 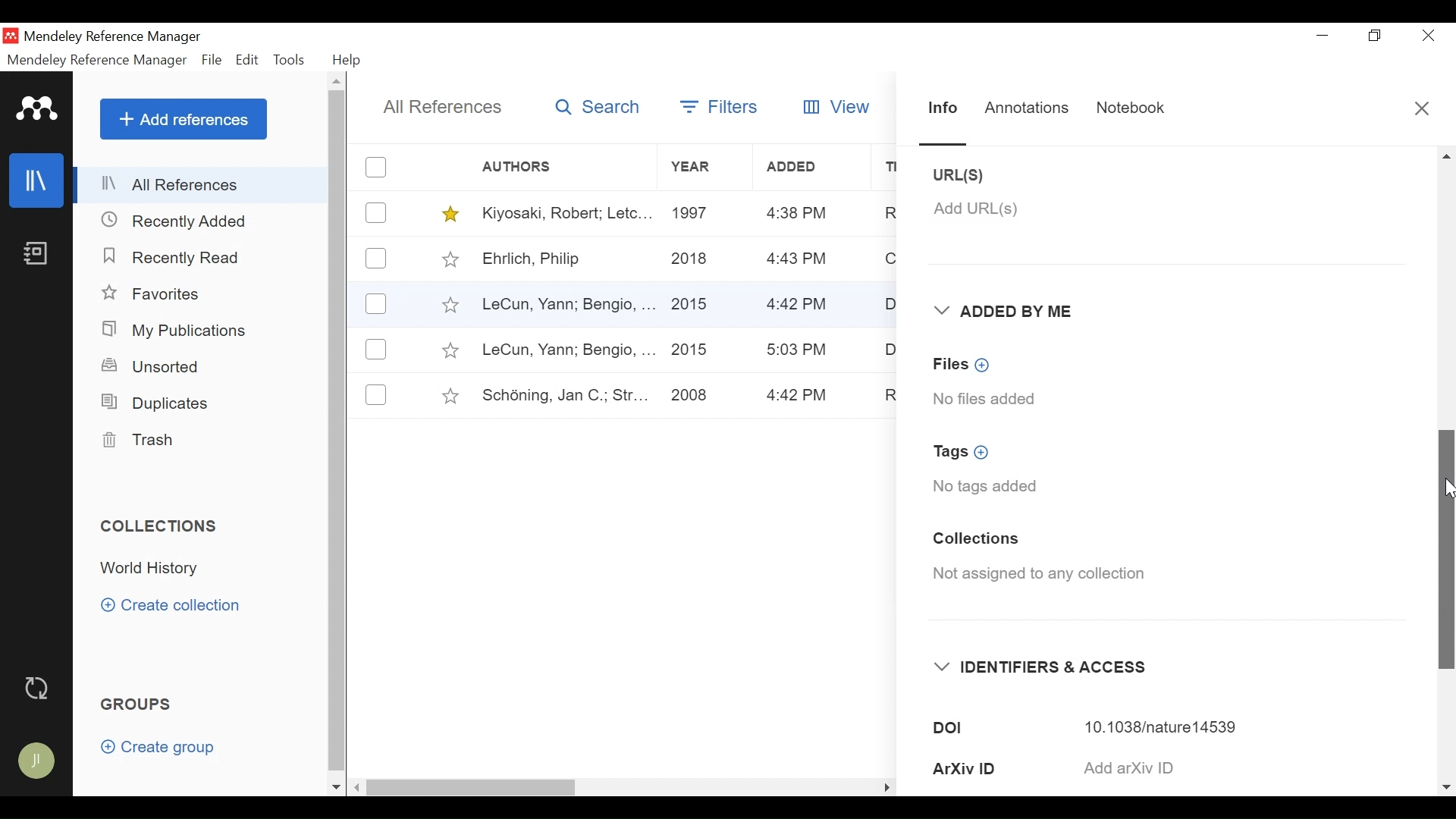 I want to click on Kiyosaki, Robert; Letc.., so click(x=568, y=212).